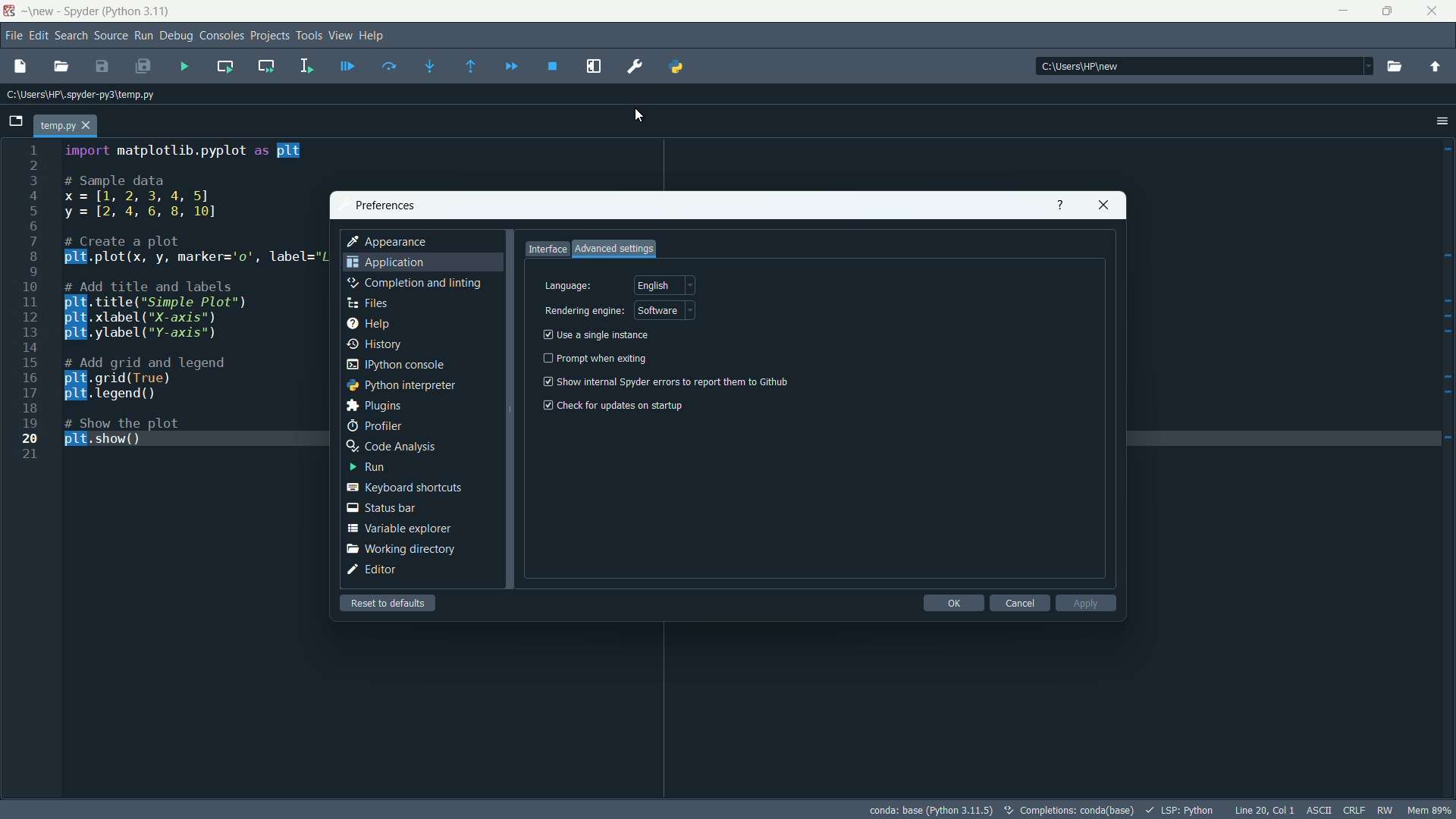 The image size is (1456, 819). Describe the element at coordinates (111, 35) in the screenshot. I see `source` at that location.